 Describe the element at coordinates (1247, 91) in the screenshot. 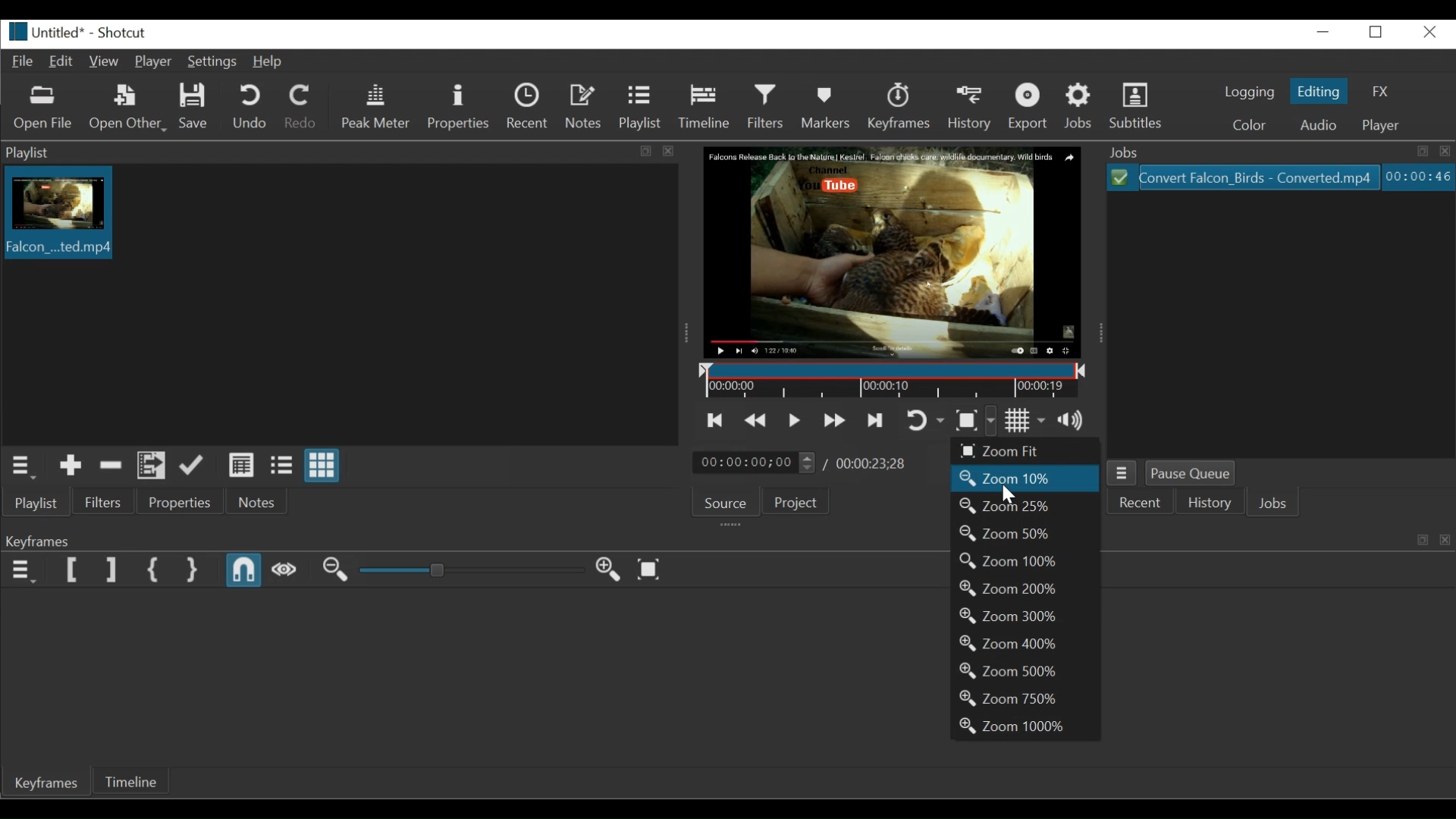

I see `logging` at that location.